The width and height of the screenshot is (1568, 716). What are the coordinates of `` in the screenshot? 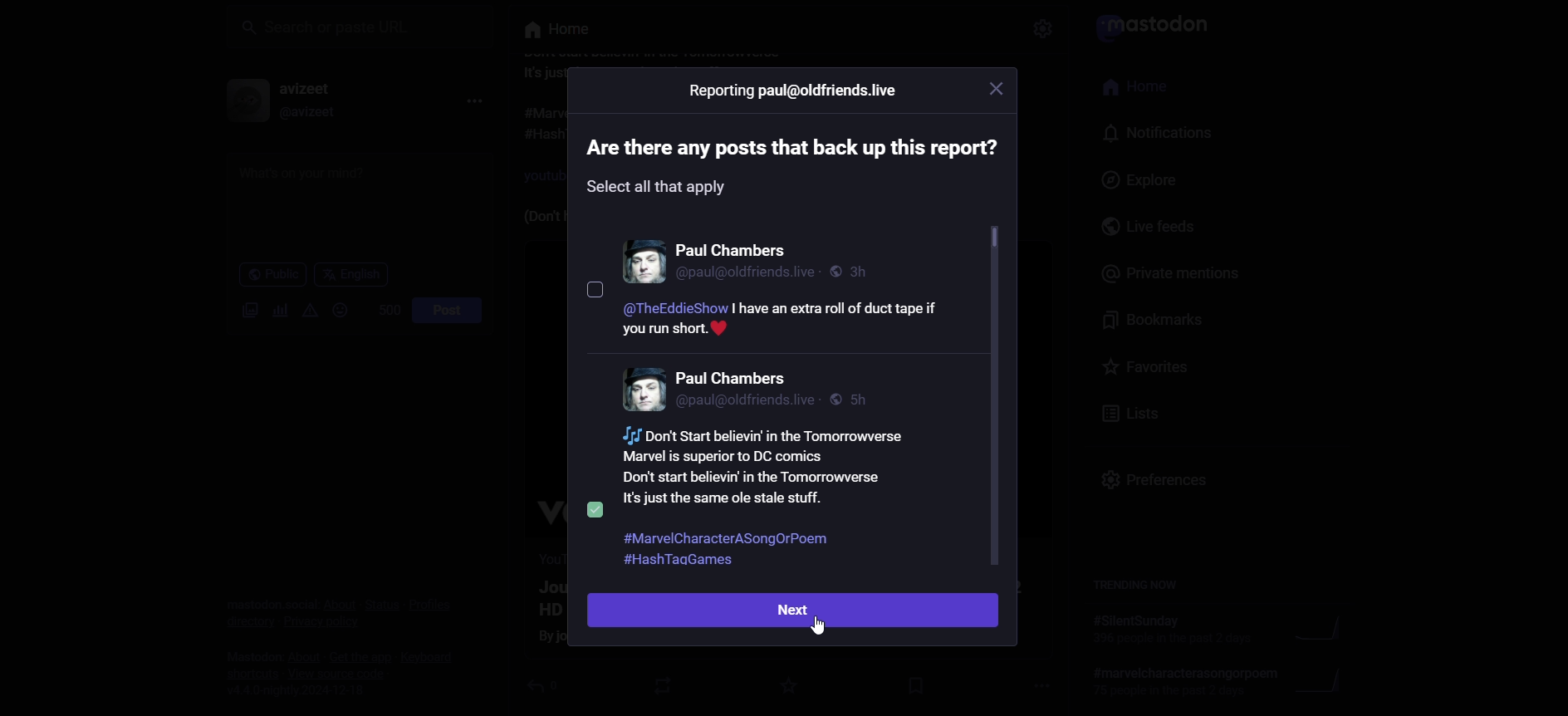 It's located at (749, 272).